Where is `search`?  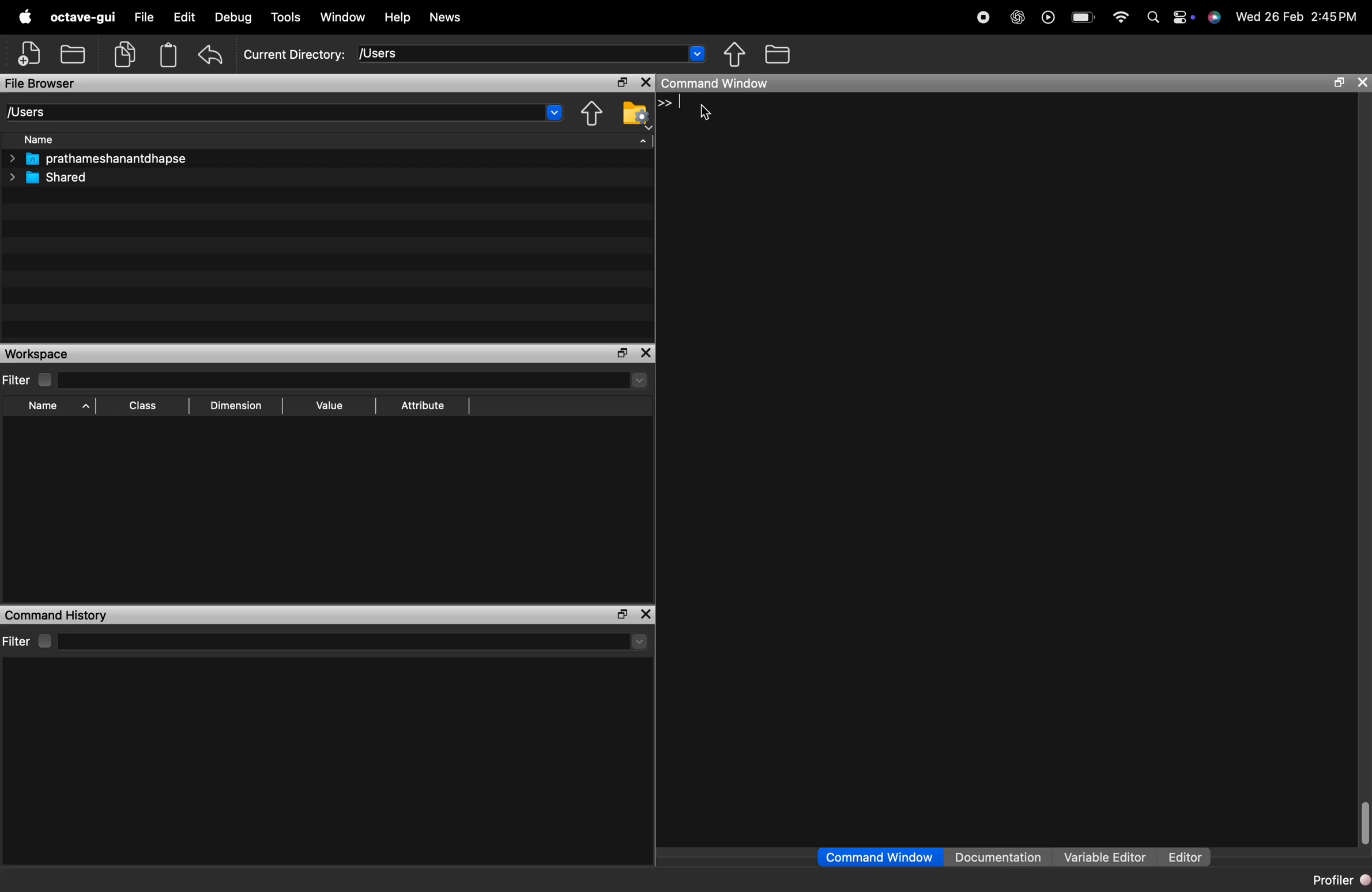
search is located at coordinates (1148, 18).